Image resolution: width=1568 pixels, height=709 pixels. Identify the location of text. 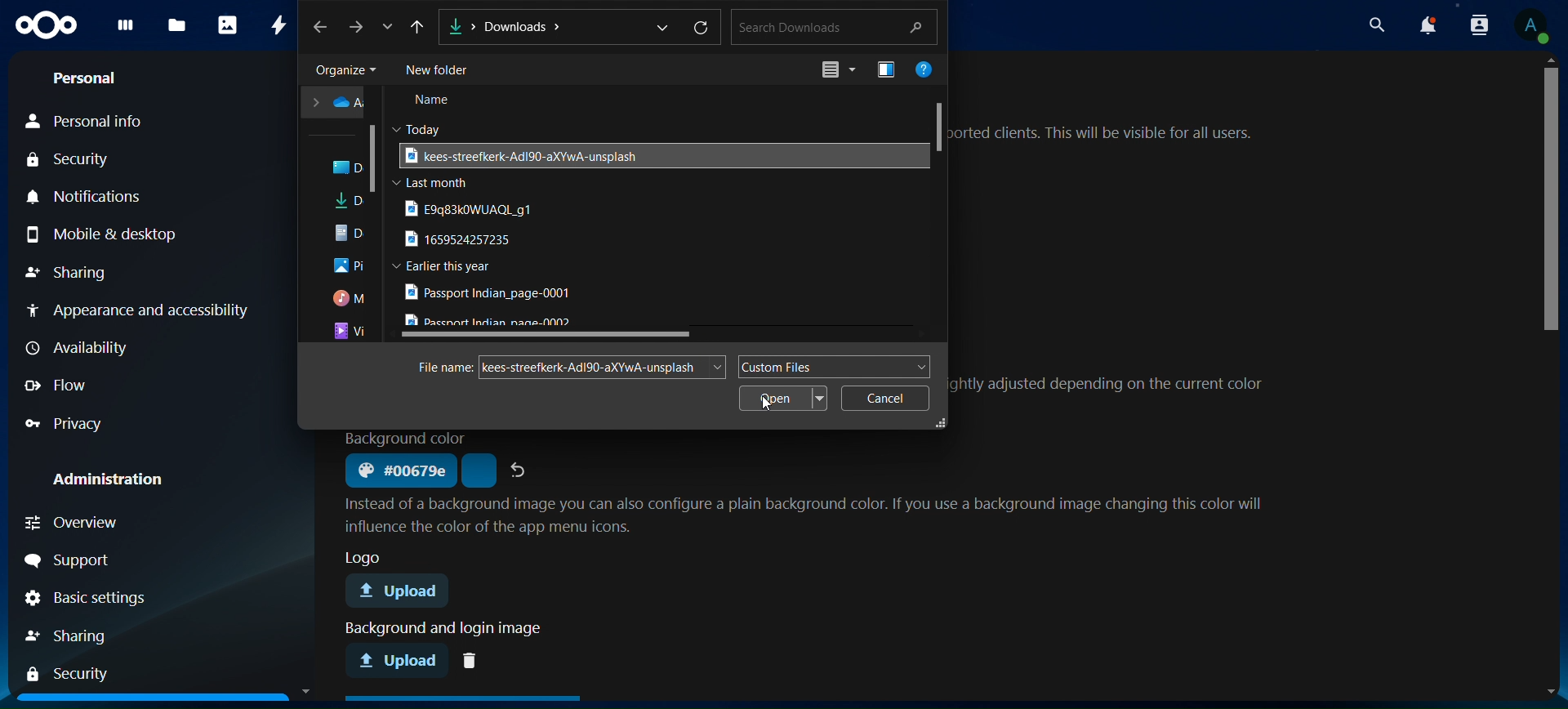
(1116, 388).